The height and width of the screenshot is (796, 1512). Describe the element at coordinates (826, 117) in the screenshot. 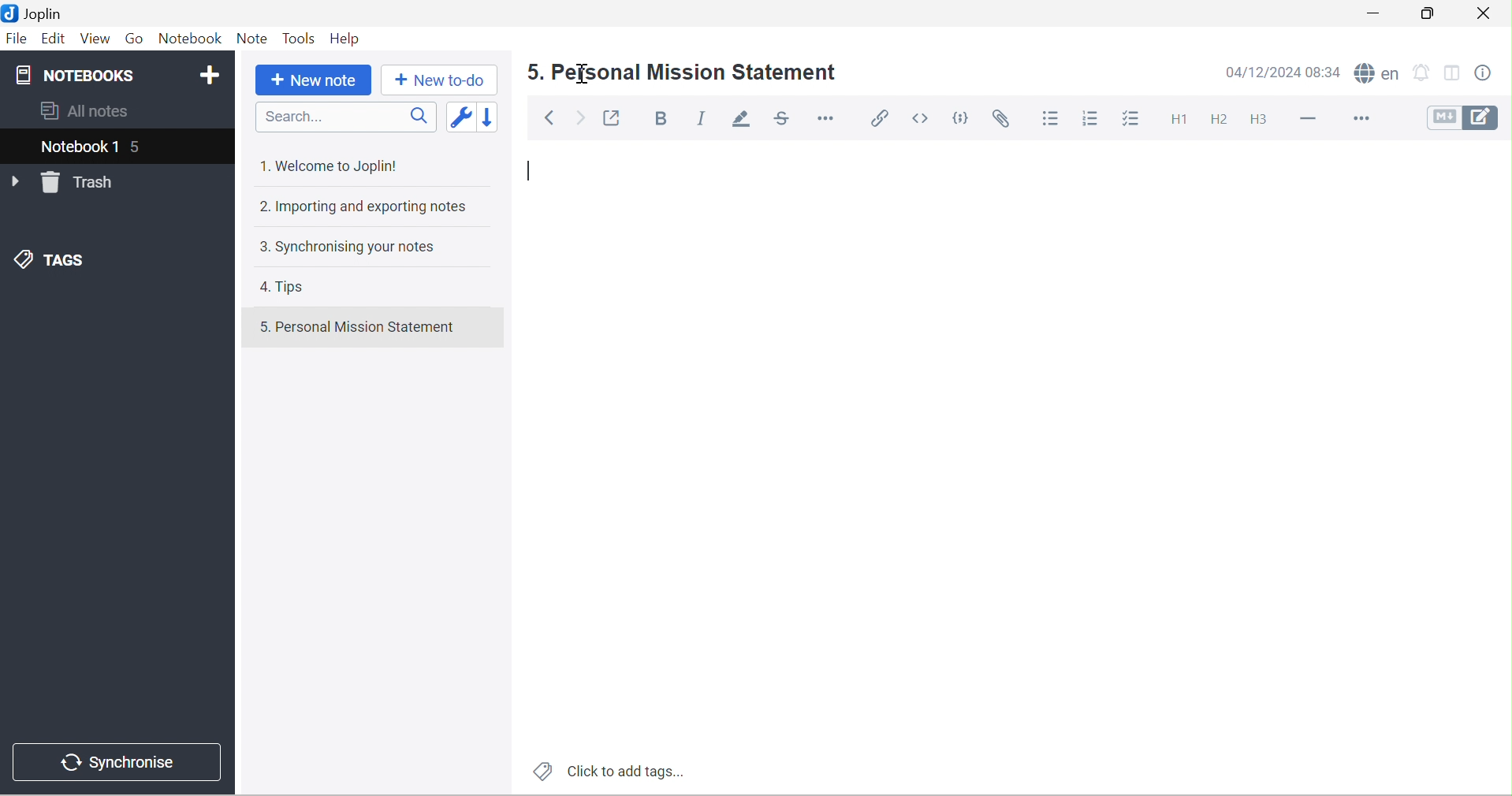

I see `Horizontal` at that location.